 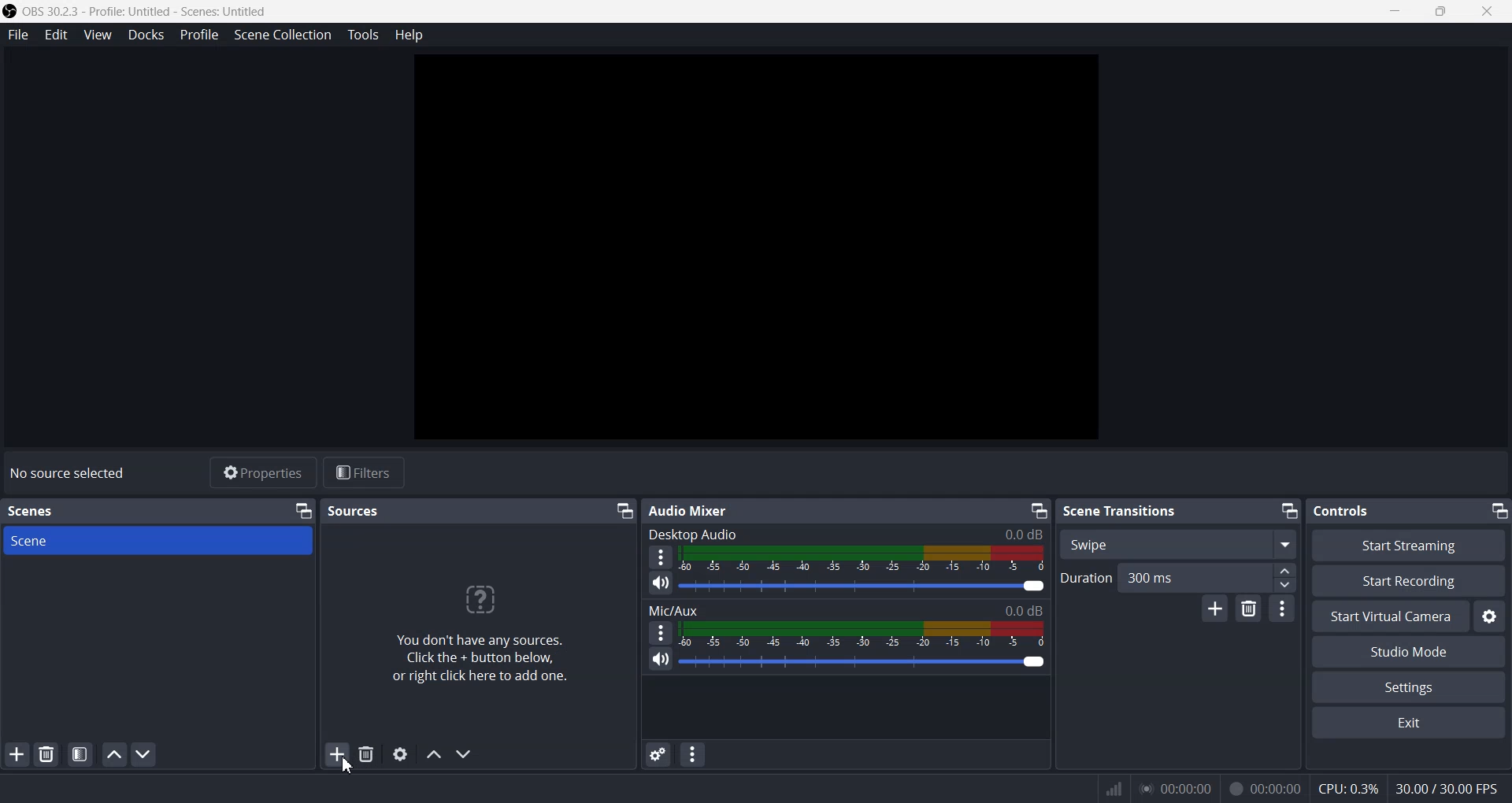 I want to click on Volume Adjuster, so click(x=862, y=661).